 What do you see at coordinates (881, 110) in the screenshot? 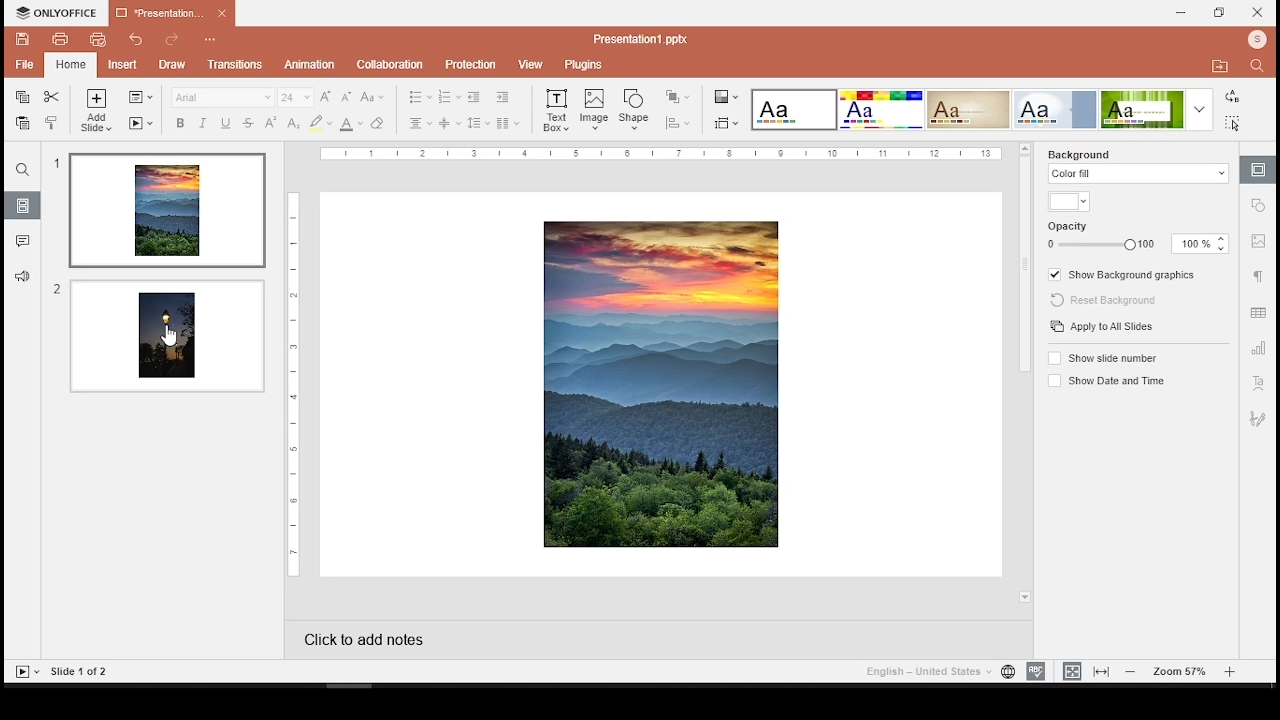
I see `slide style` at bounding box center [881, 110].